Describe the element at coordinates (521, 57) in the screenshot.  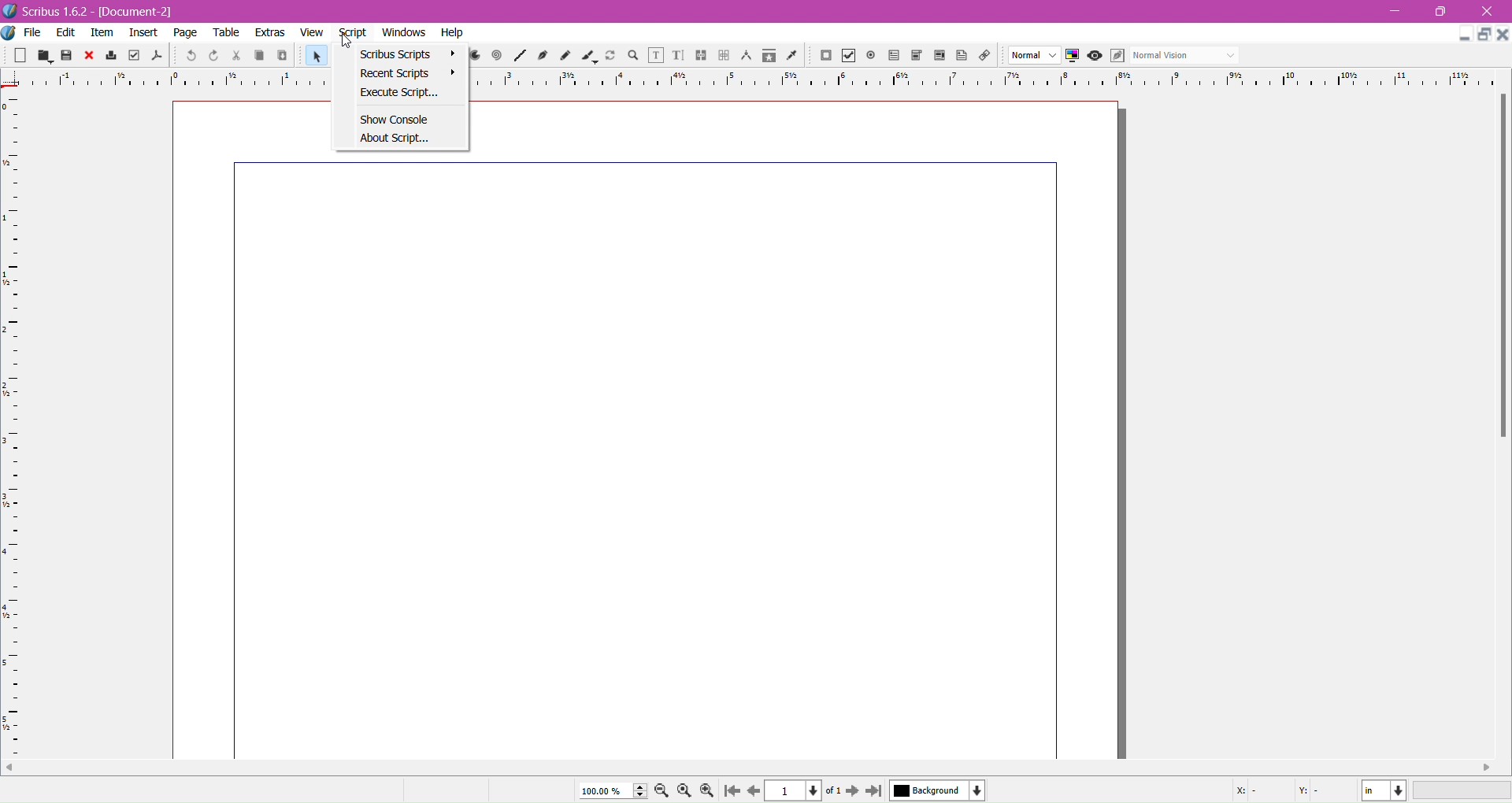
I see `Line` at that location.